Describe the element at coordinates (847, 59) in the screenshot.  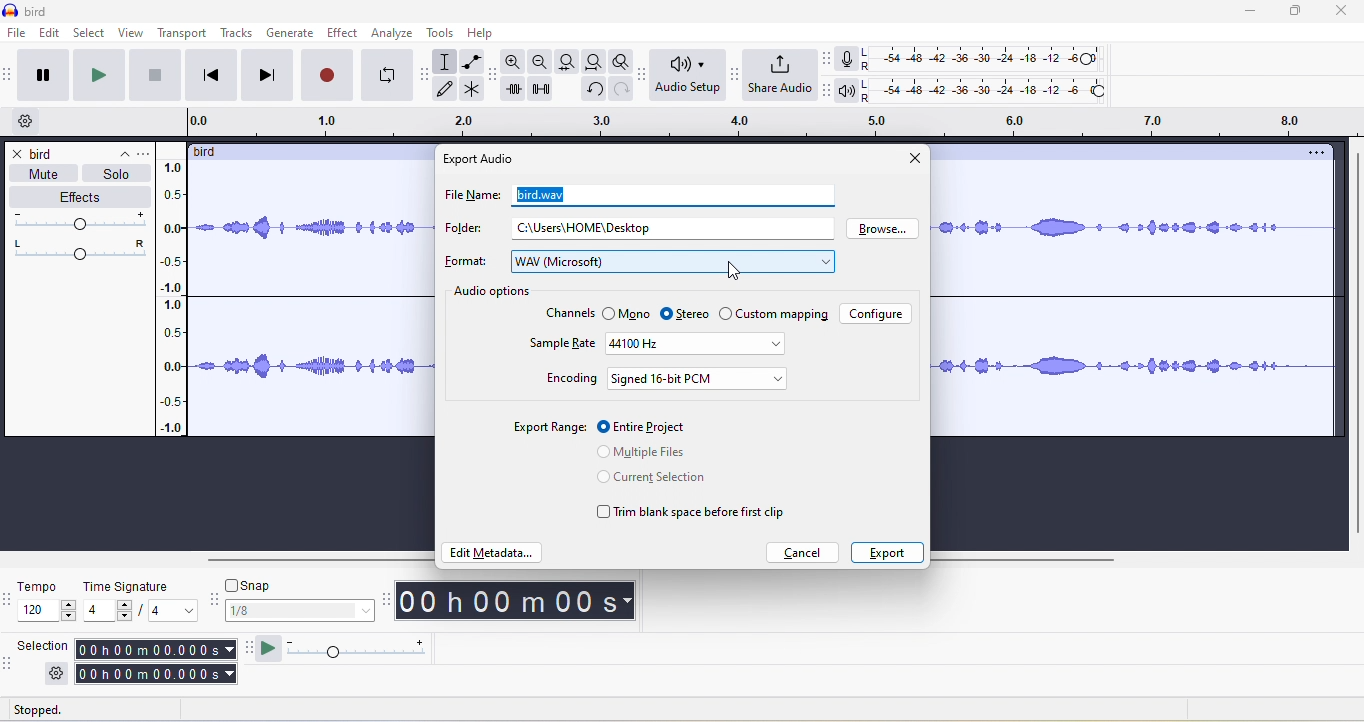
I see `record meter` at that location.